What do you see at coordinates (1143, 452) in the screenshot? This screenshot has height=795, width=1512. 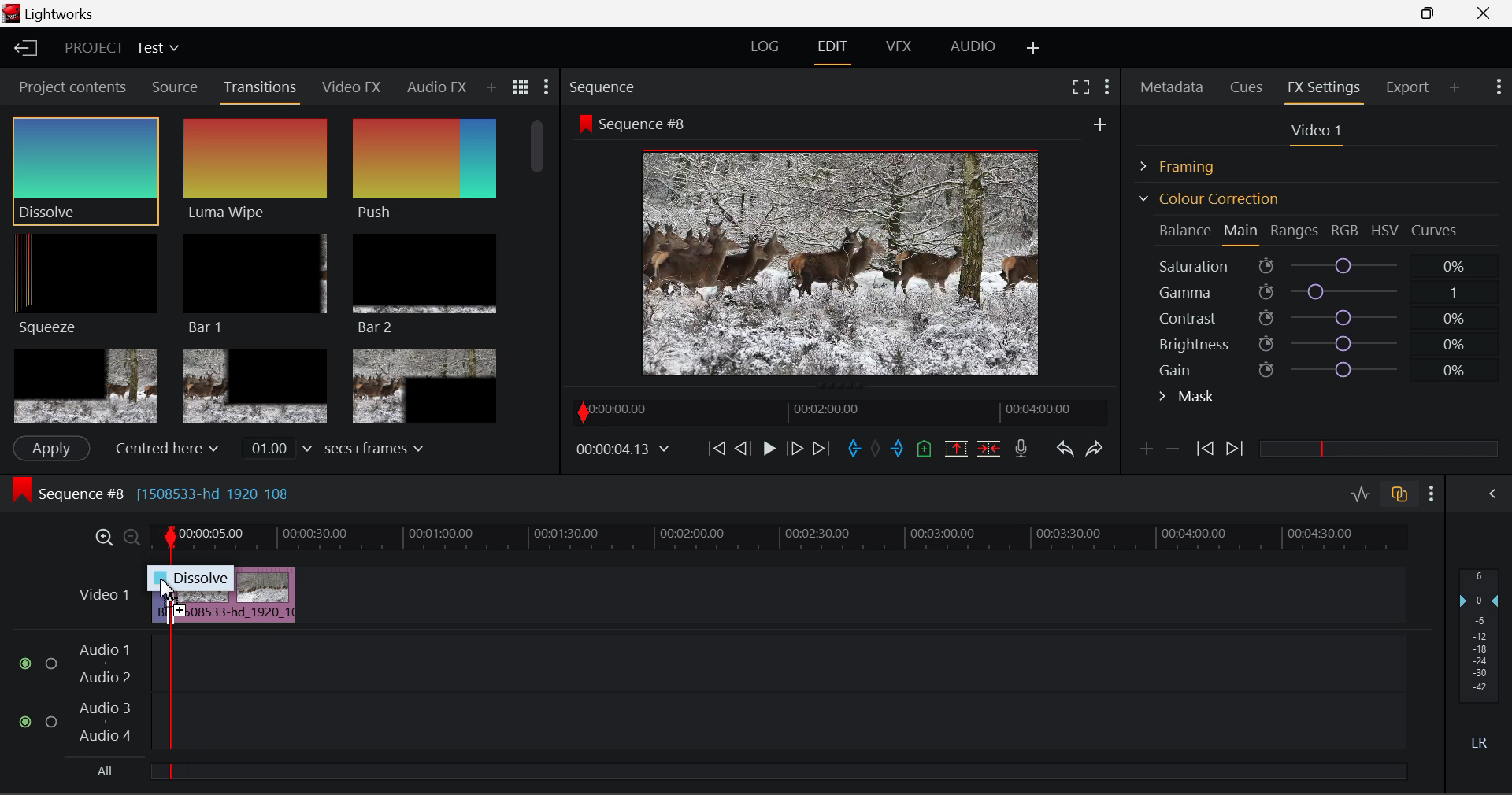 I see `Add keyframe` at bounding box center [1143, 452].